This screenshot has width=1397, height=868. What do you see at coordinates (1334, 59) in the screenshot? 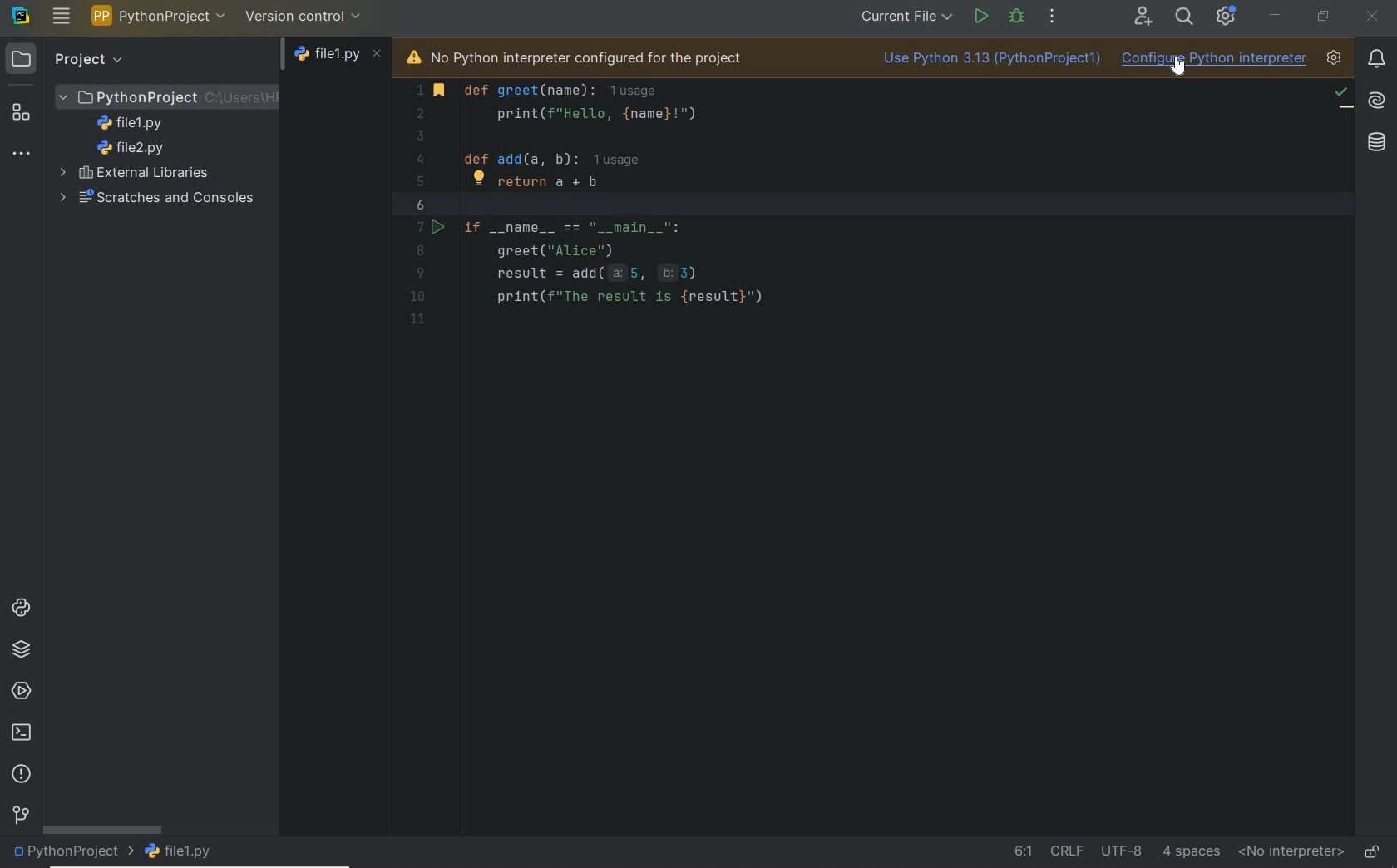
I see `python interpreter` at bounding box center [1334, 59].